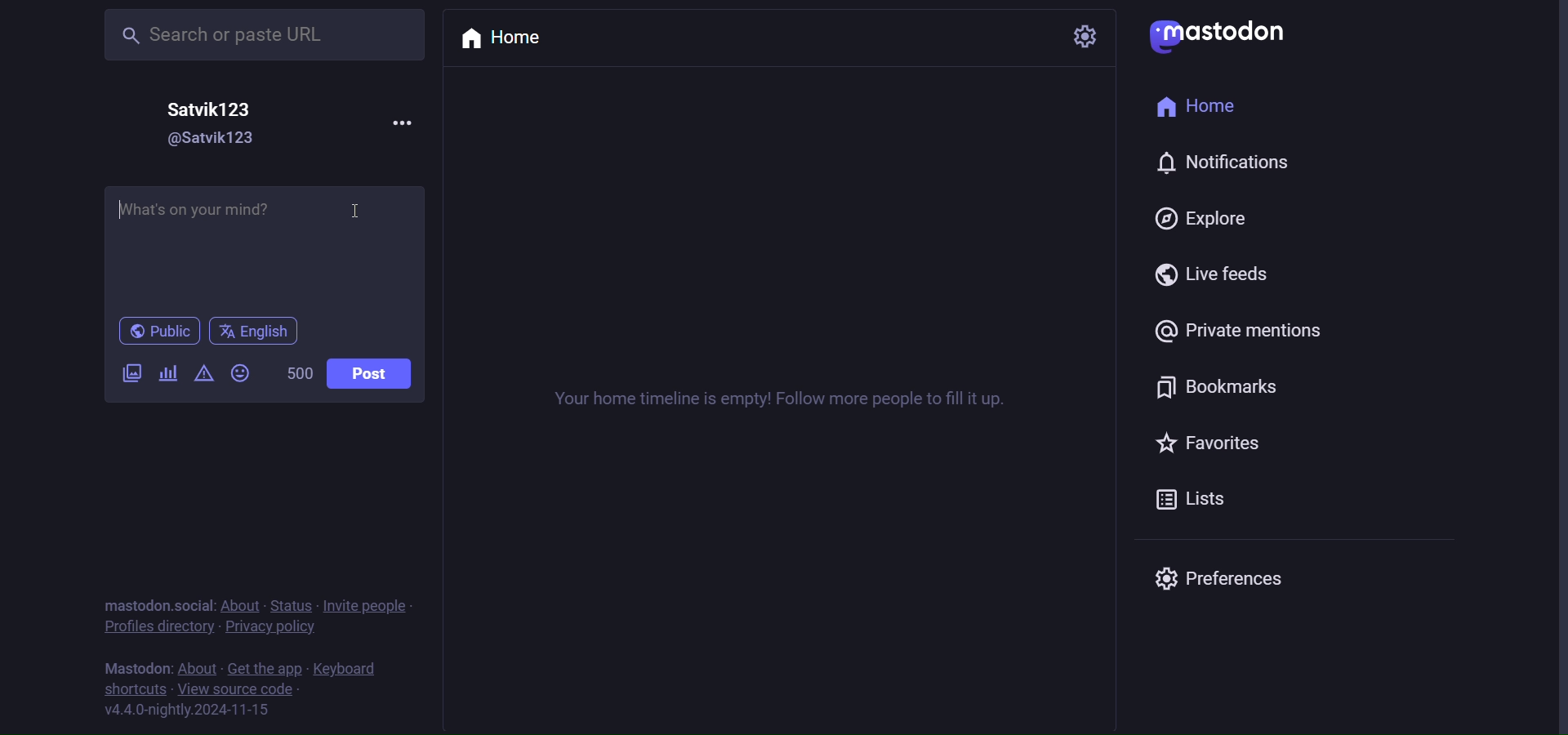  Describe the element at coordinates (1205, 110) in the screenshot. I see `home` at that location.